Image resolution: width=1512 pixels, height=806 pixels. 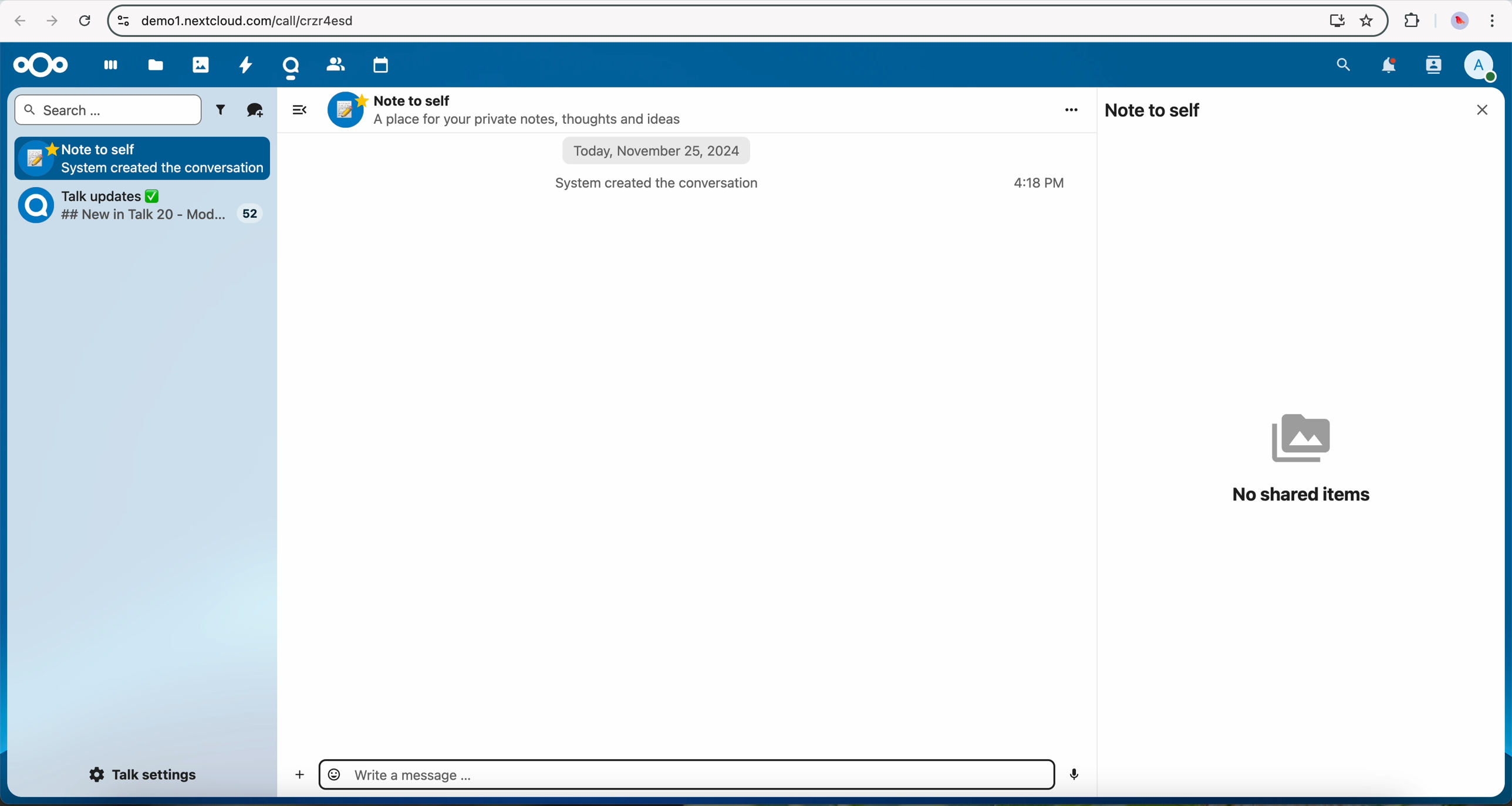 I want to click on refresh the page, so click(x=84, y=20).